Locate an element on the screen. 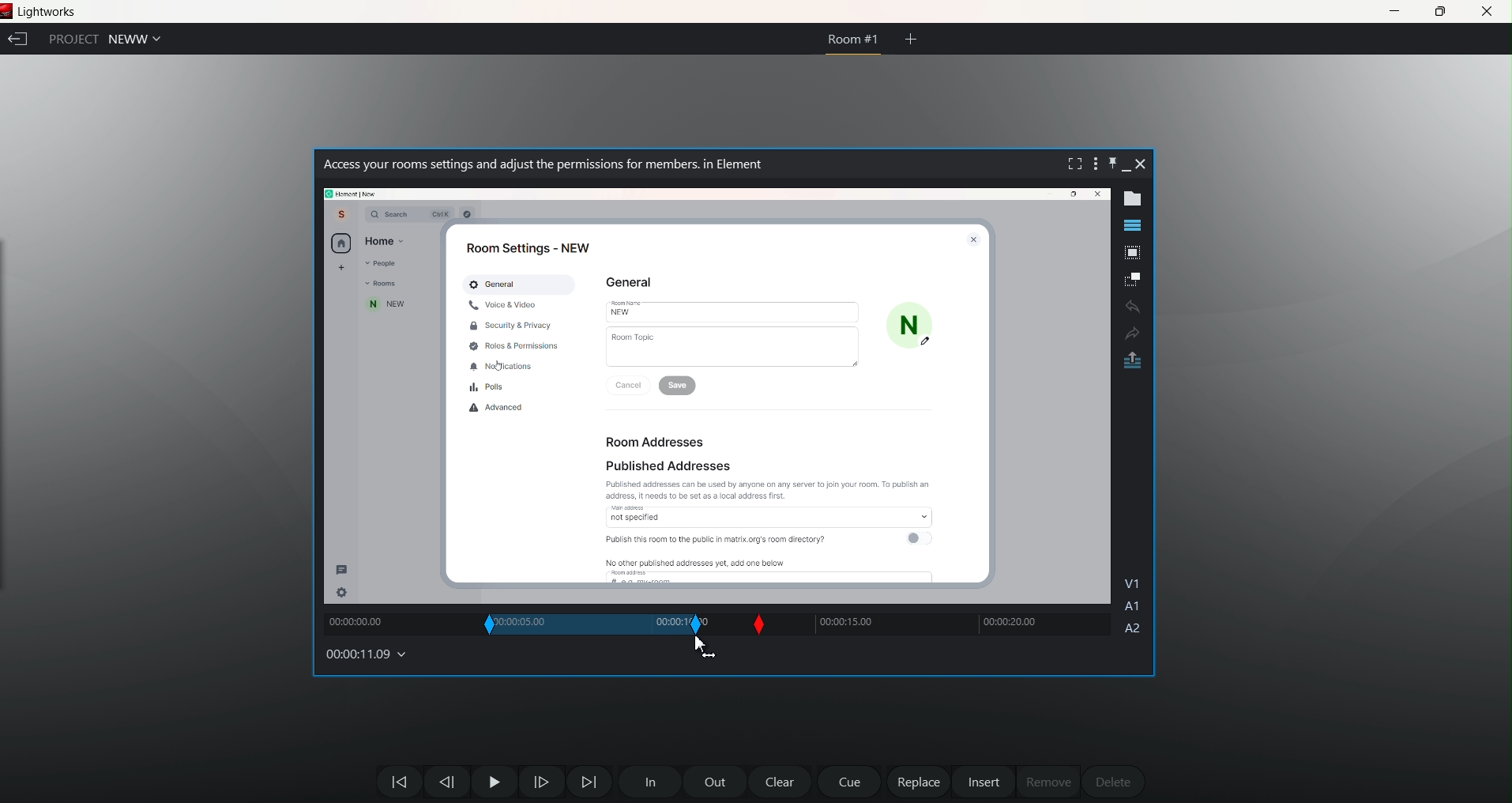  cursor is located at coordinates (705, 647).